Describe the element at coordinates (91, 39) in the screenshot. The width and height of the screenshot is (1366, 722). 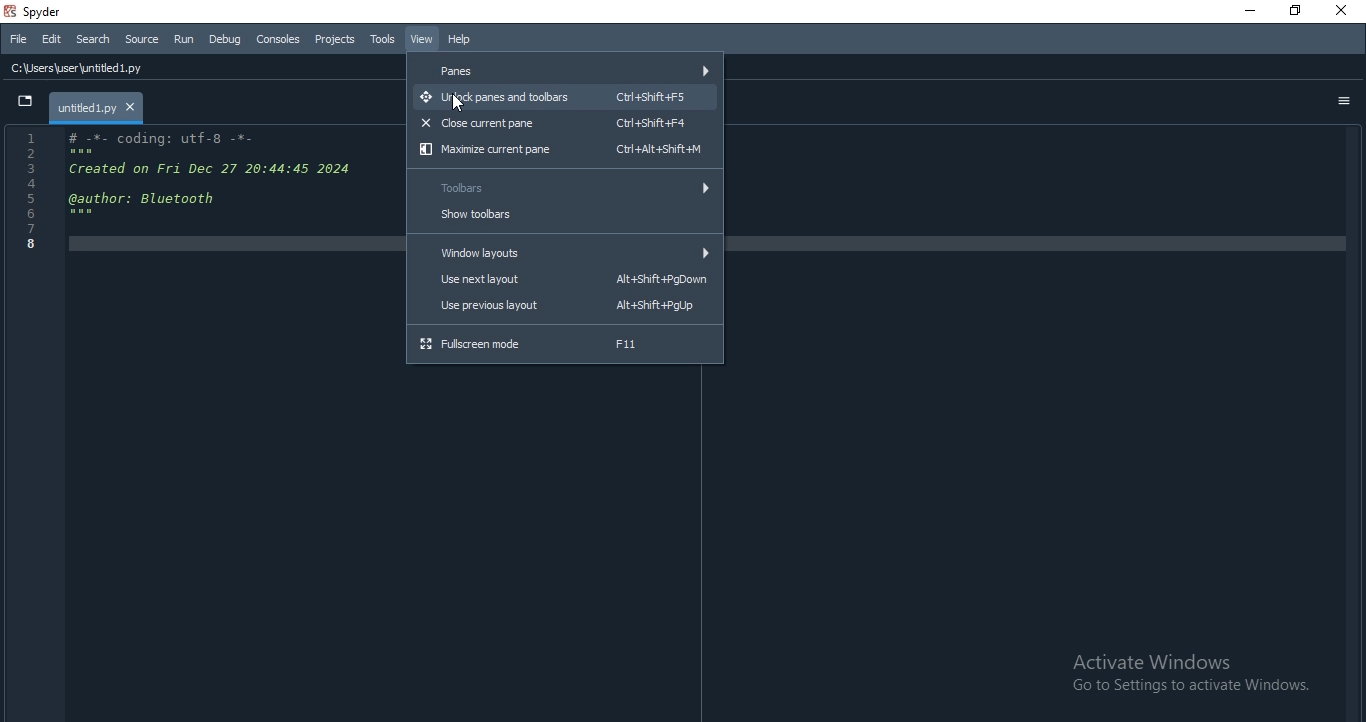
I see `Search` at that location.